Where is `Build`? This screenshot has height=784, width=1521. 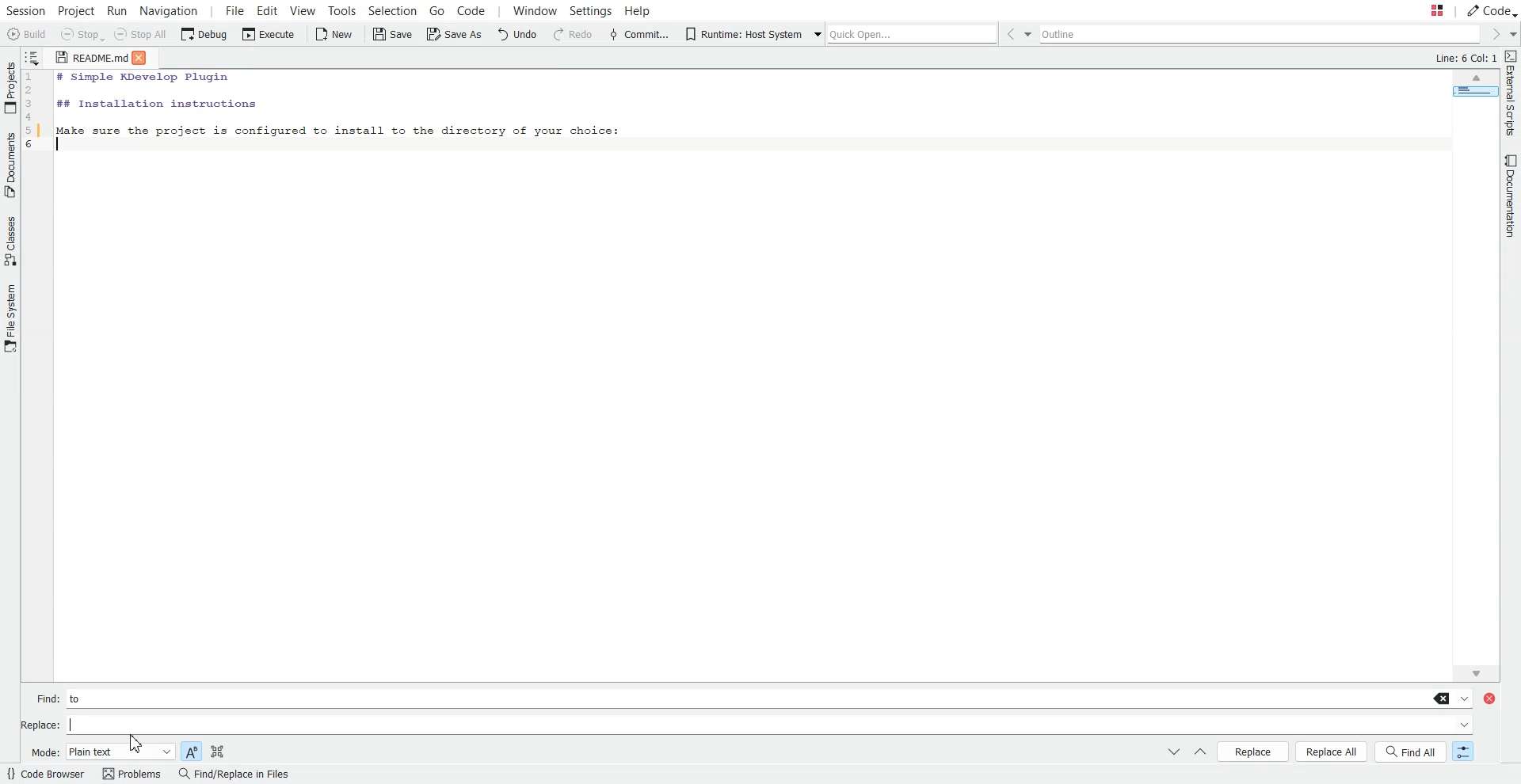 Build is located at coordinates (27, 34).